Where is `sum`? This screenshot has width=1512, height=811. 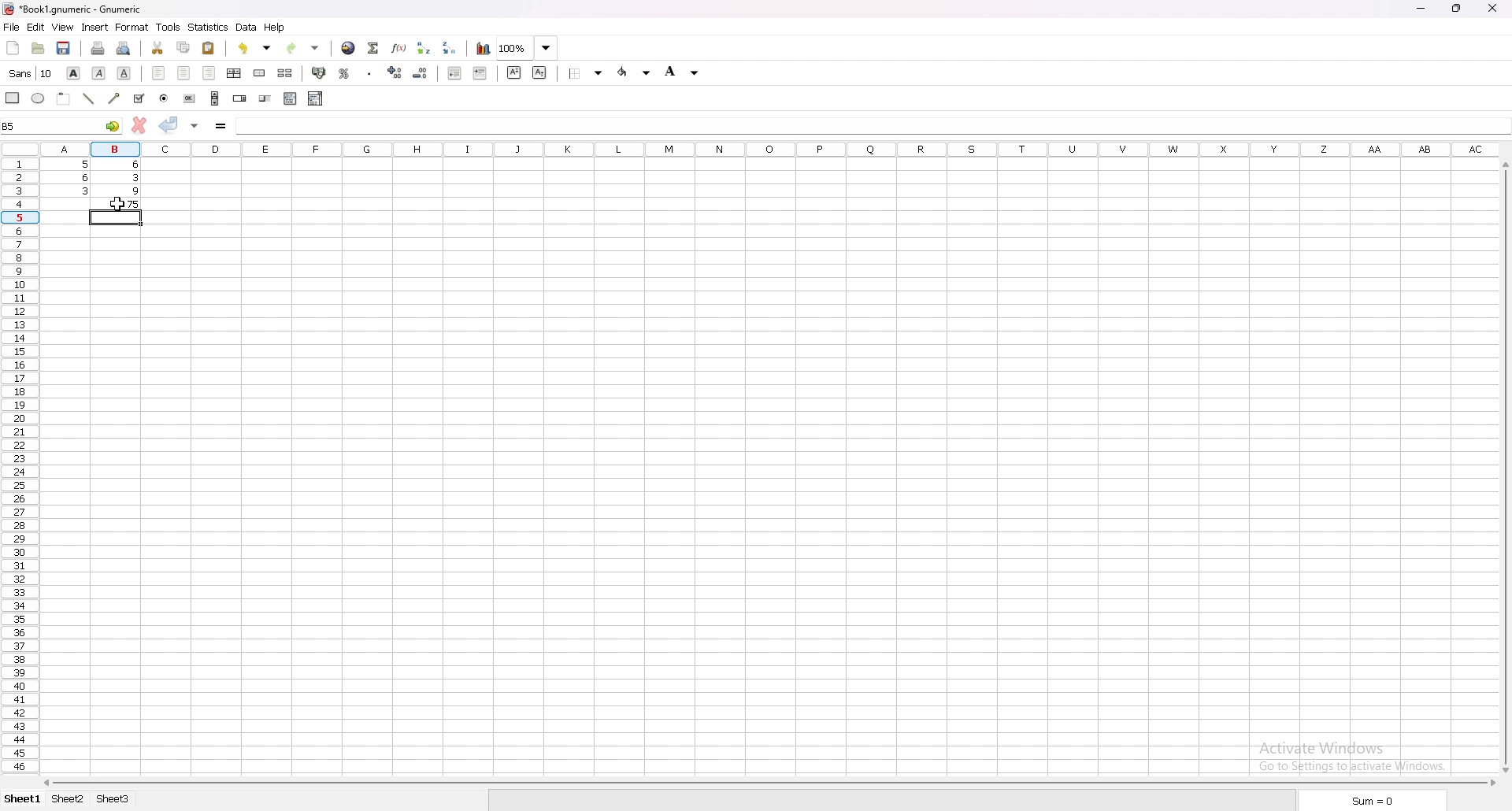
sum is located at coordinates (1369, 799).